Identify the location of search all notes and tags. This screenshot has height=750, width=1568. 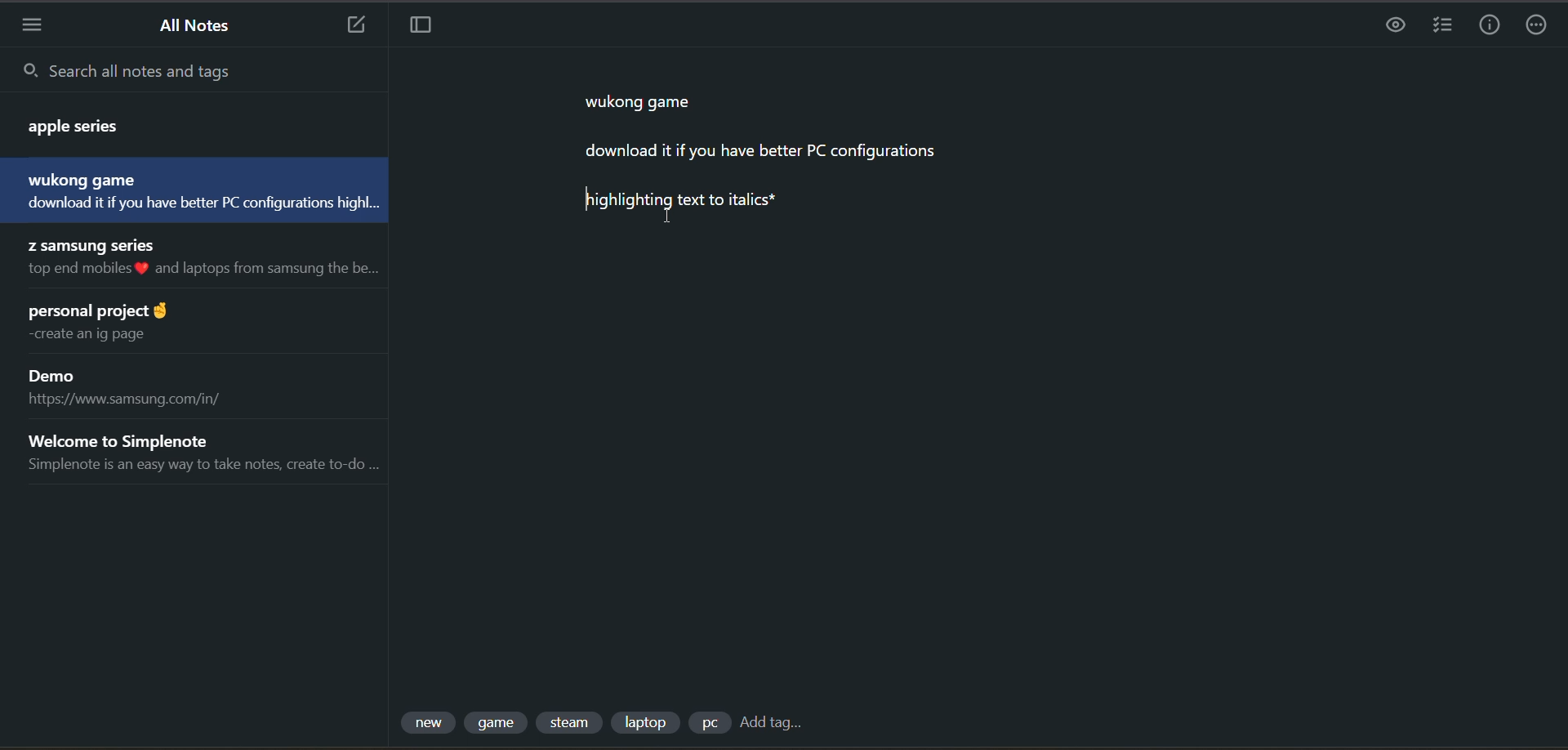
(198, 69).